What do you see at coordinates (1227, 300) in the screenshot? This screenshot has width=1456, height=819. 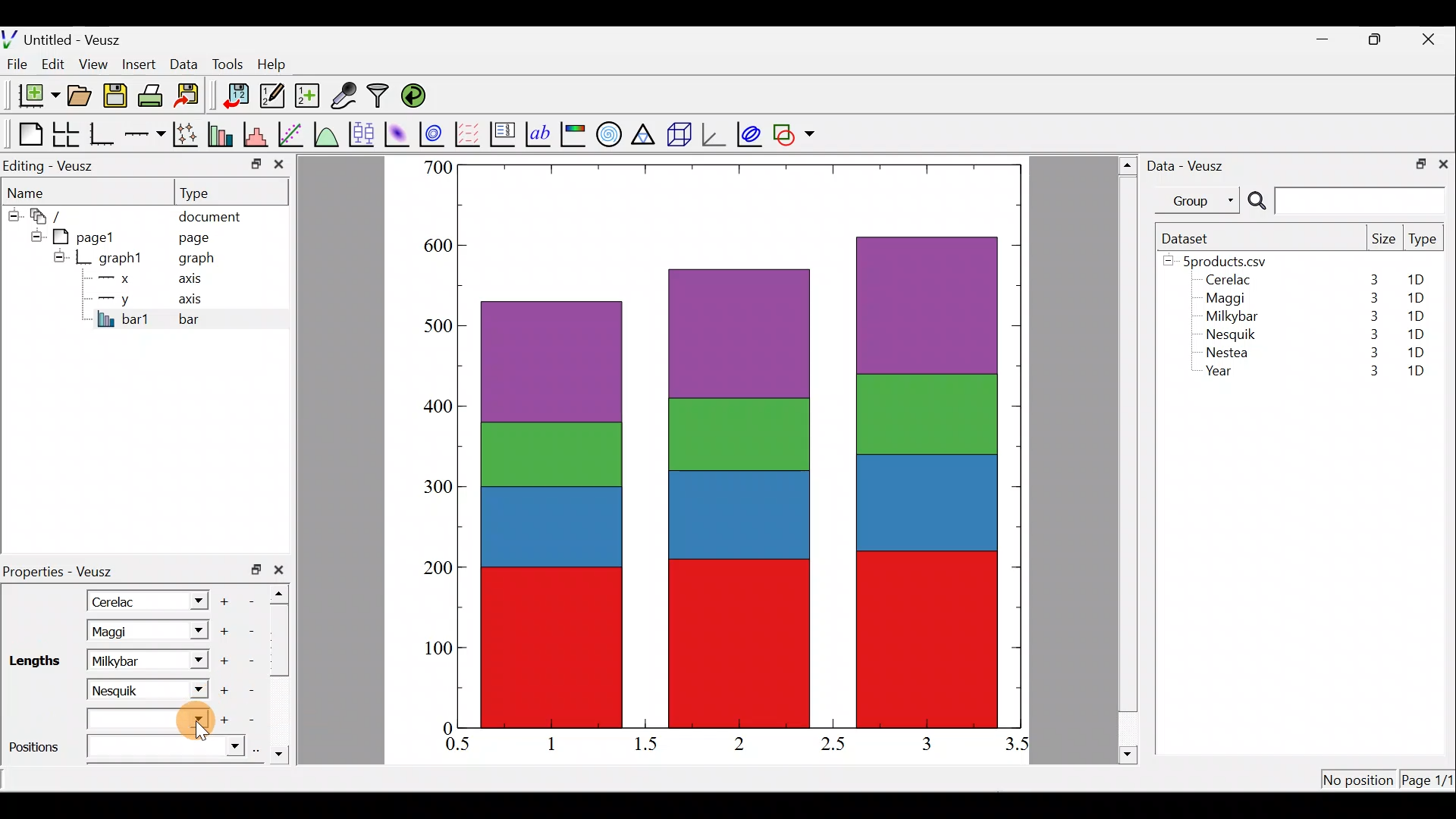 I see `Maggi` at bounding box center [1227, 300].